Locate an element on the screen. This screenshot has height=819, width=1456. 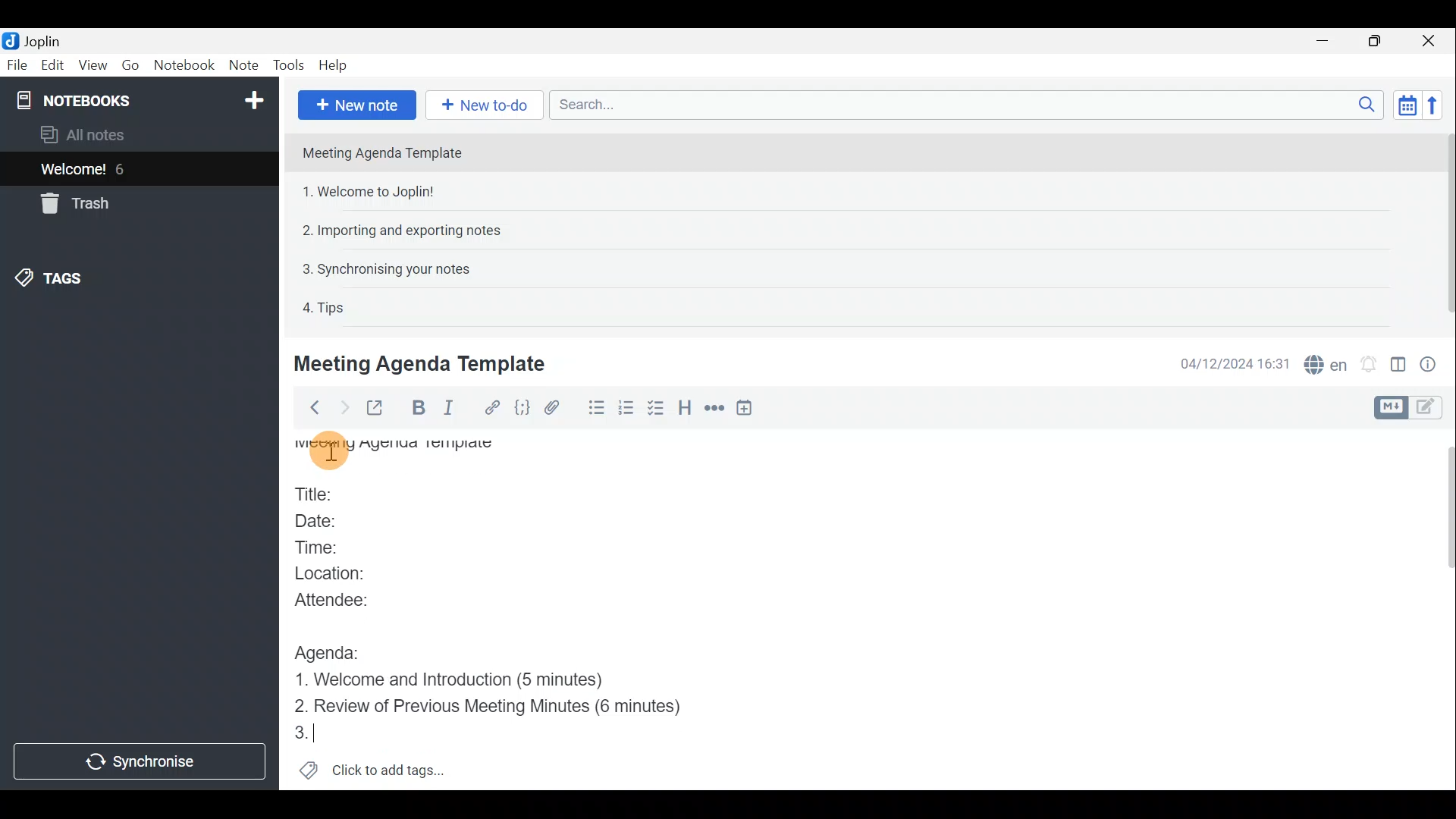
Insert time is located at coordinates (748, 410).